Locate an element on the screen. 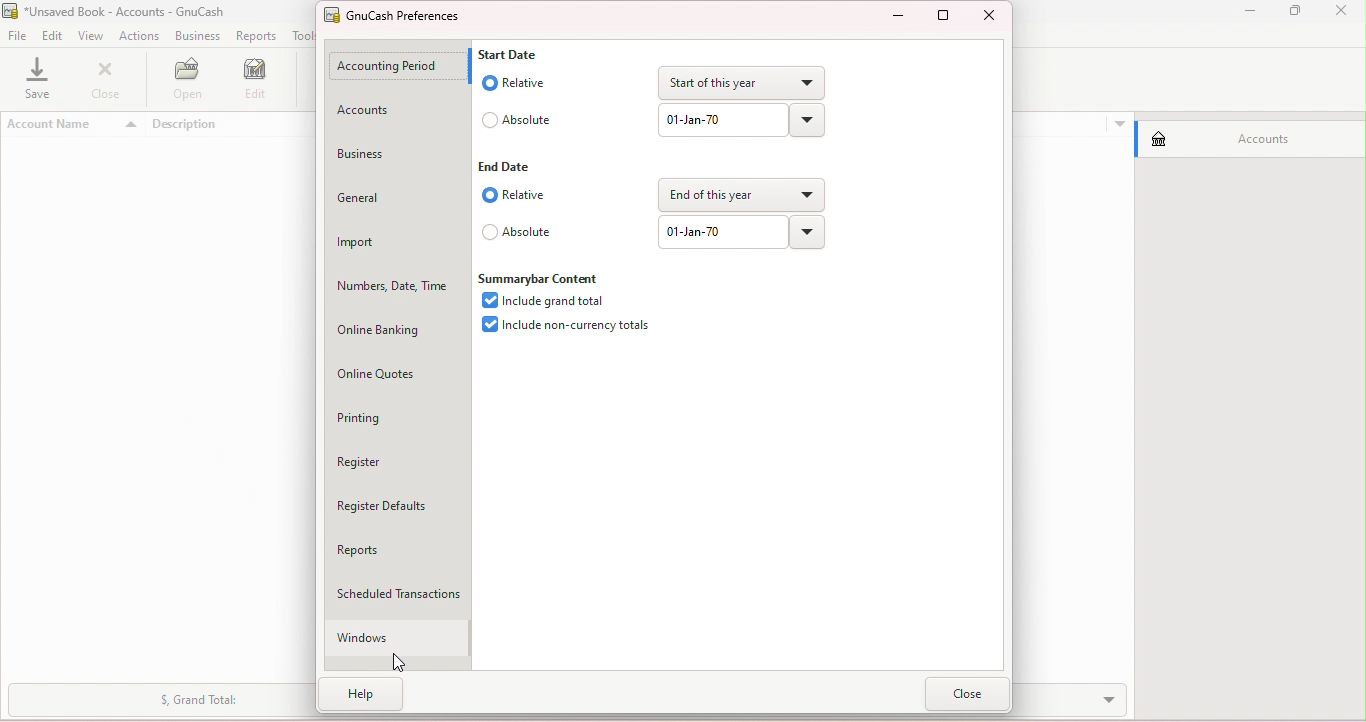 Image resolution: width=1366 pixels, height=722 pixels. Tools is located at coordinates (306, 35).